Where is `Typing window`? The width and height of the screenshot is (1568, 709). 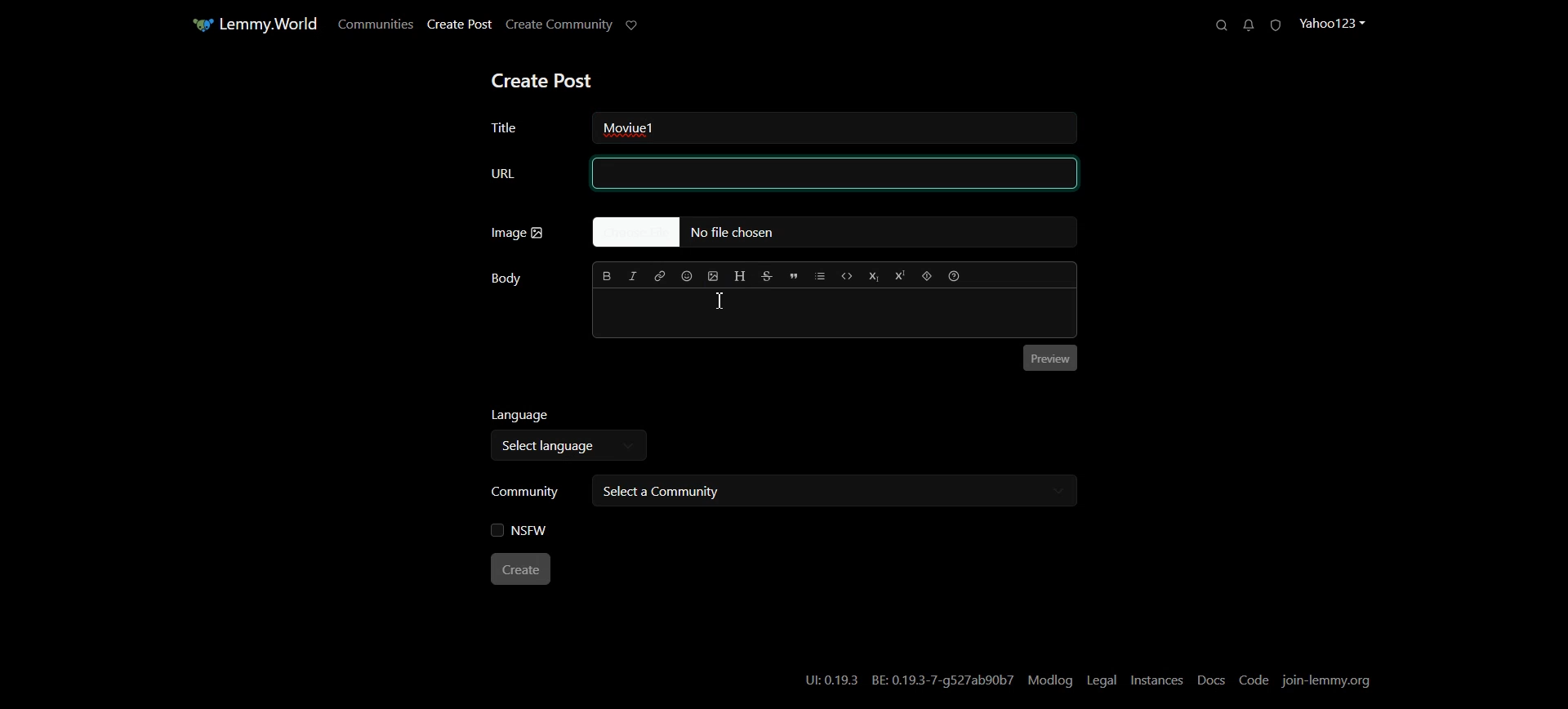 Typing window is located at coordinates (832, 312).